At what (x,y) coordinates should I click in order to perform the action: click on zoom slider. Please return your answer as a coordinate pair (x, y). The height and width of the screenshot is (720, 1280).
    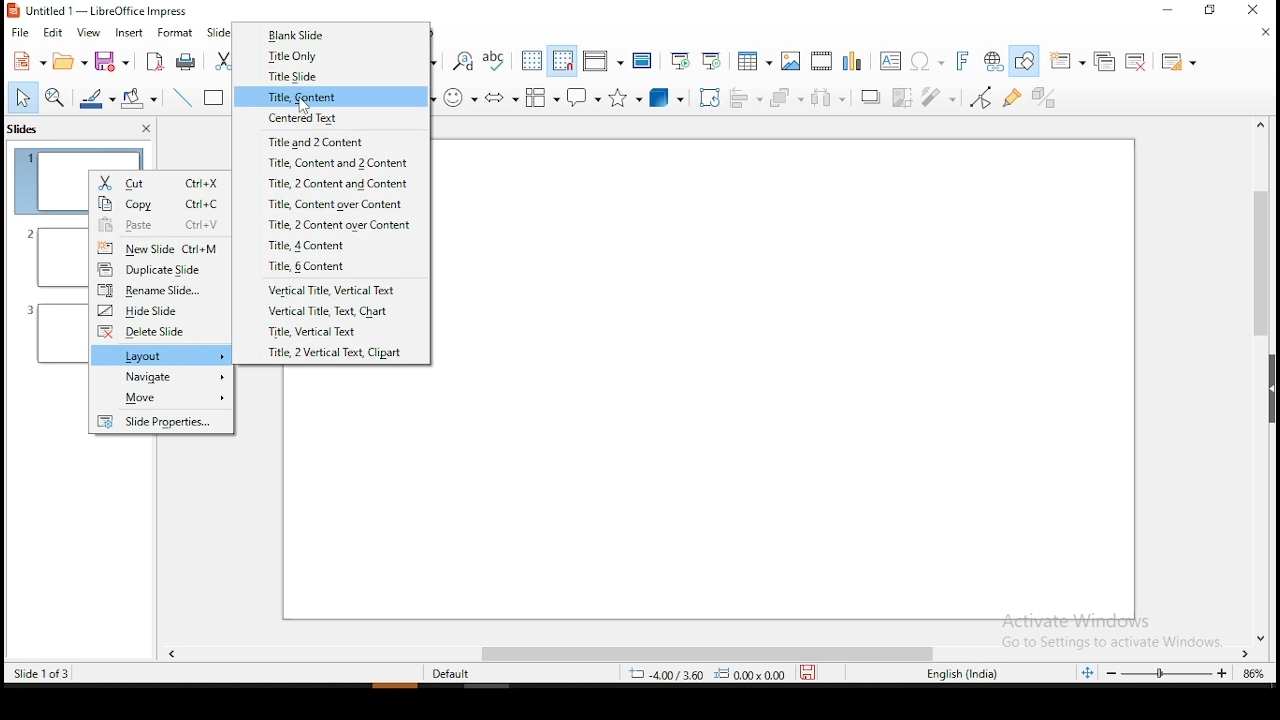
    Looking at the image, I should click on (1169, 676).